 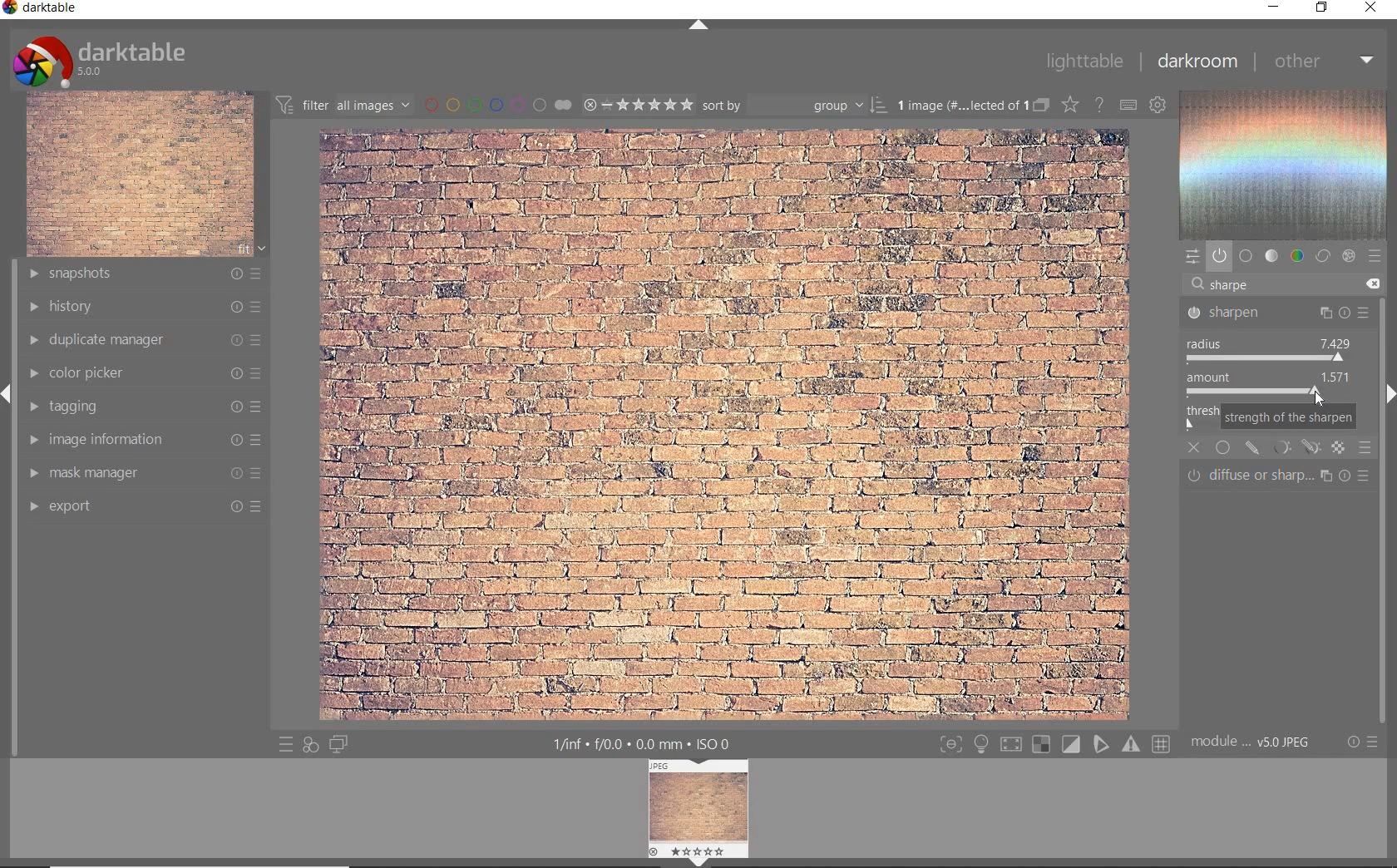 What do you see at coordinates (1252, 285) in the screenshot?
I see `SHARPEN` at bounding box center [1252, 285].